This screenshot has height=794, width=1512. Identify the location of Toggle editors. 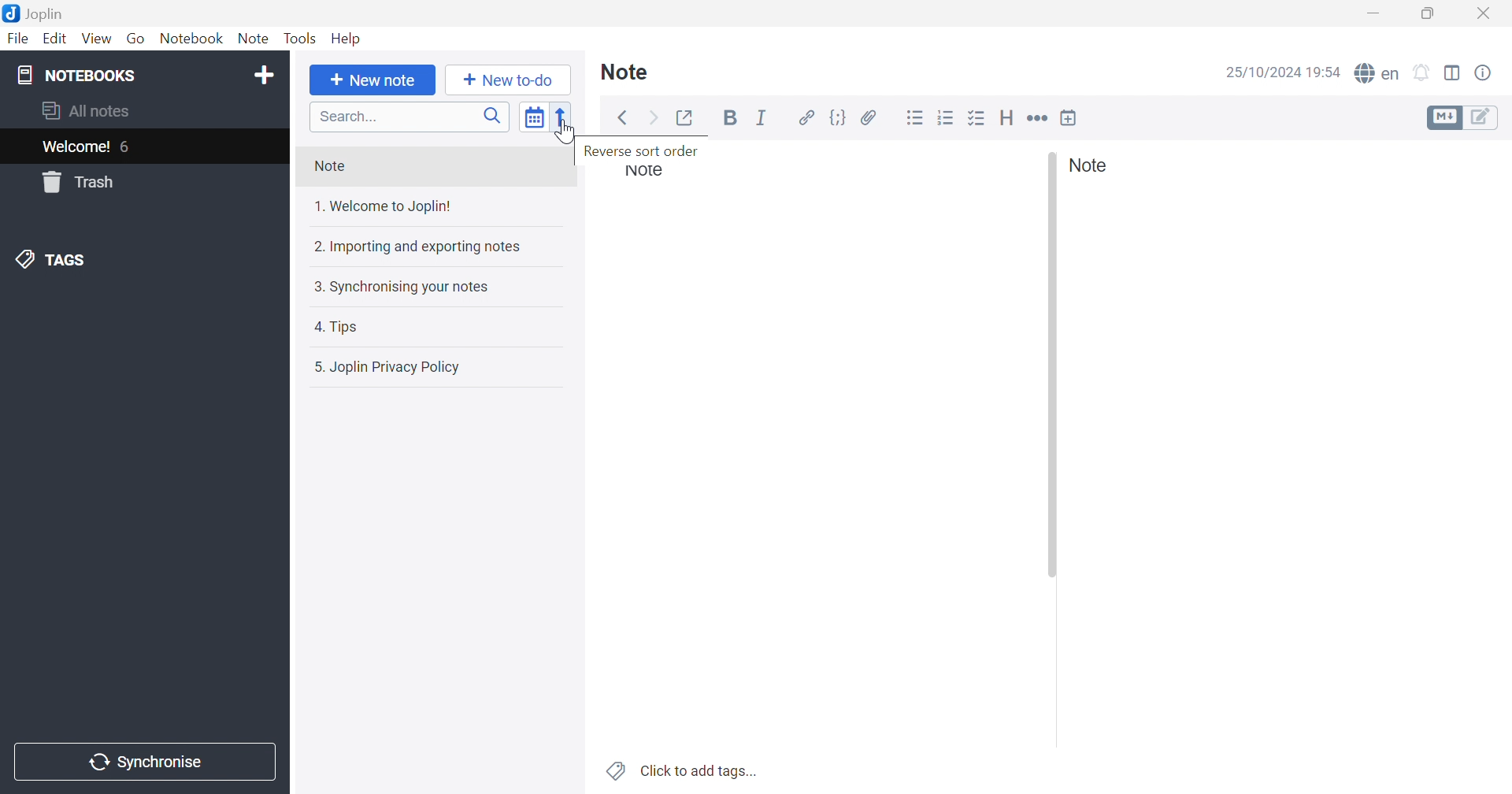
(1443, 118).